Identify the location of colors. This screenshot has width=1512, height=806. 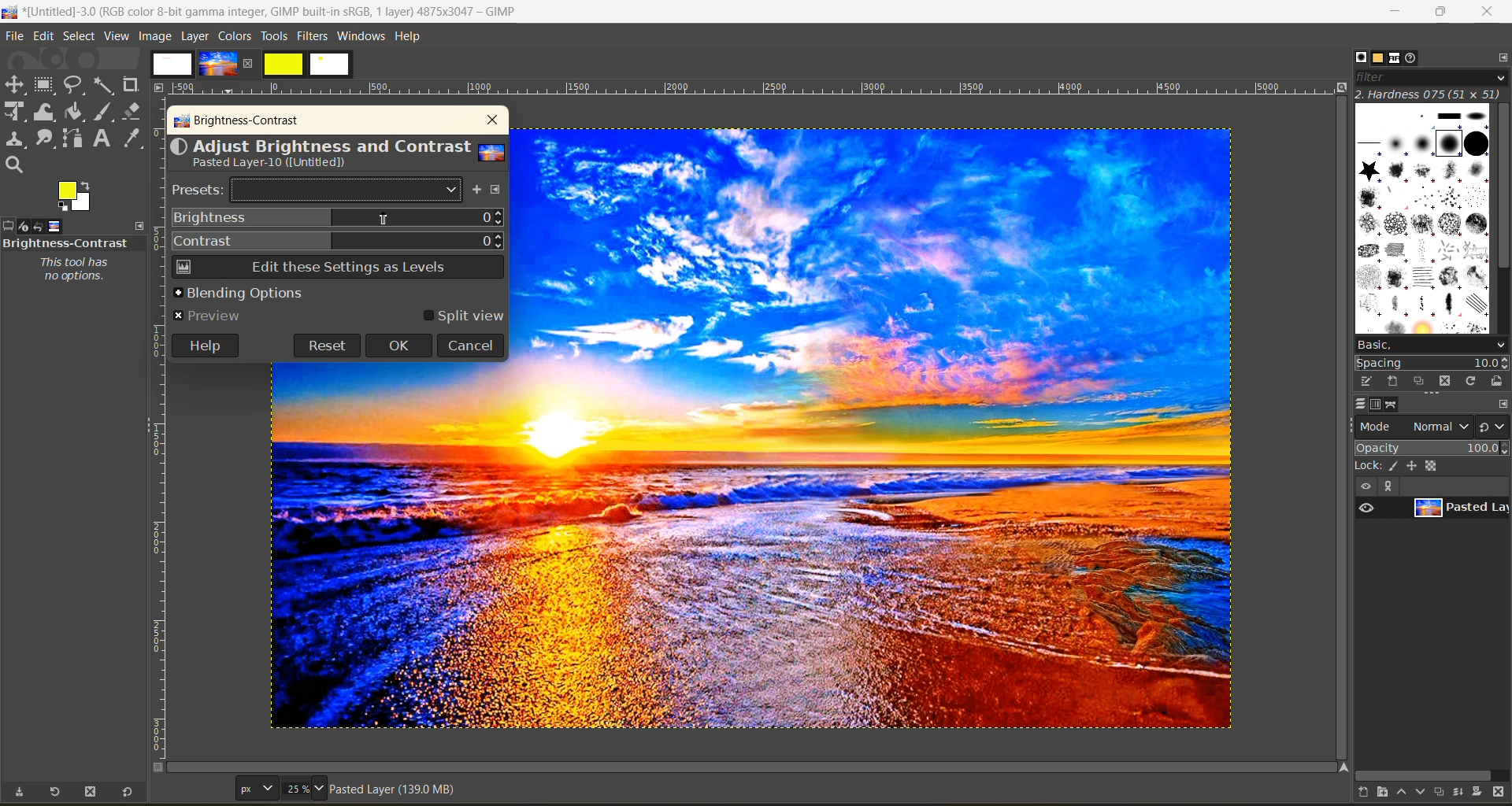
(235, 35).